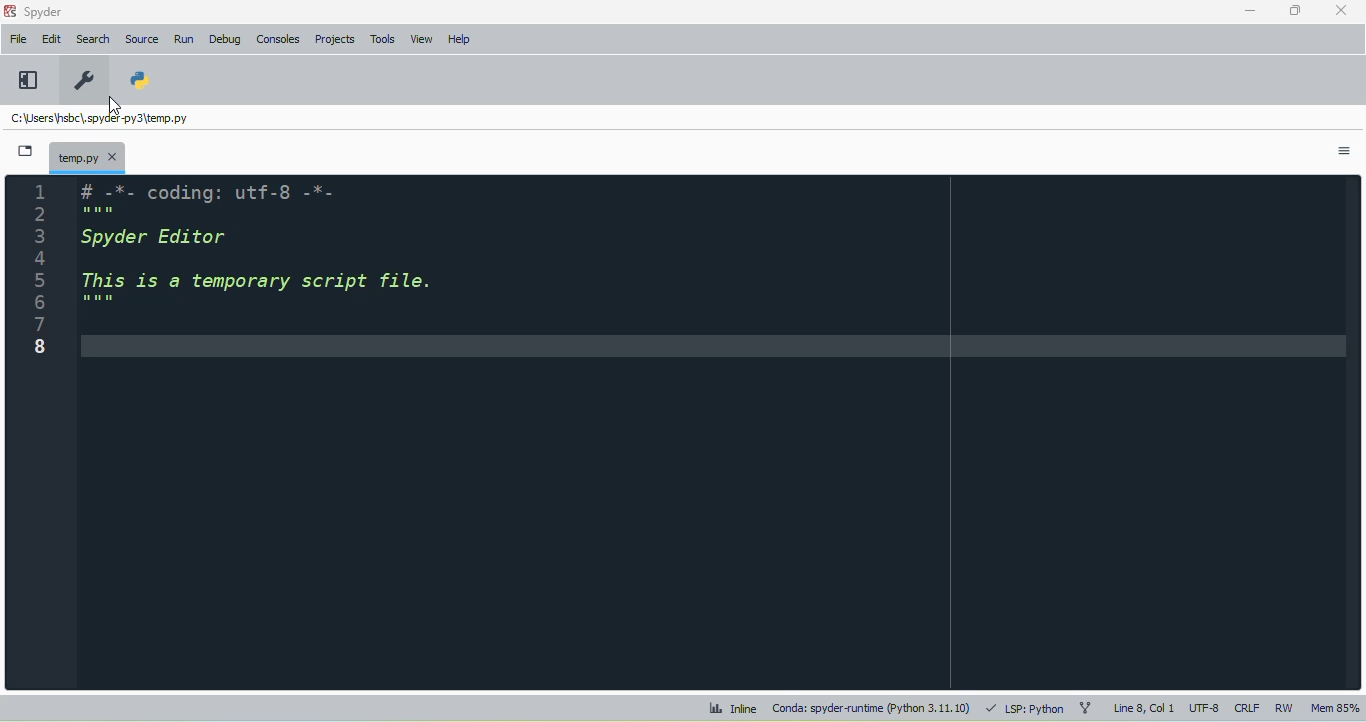 This screenshot has width=1366, height=722. What do you see at coordinates (19, 39) in the screenshot?
I see `file` at bounding box center [19, 39].